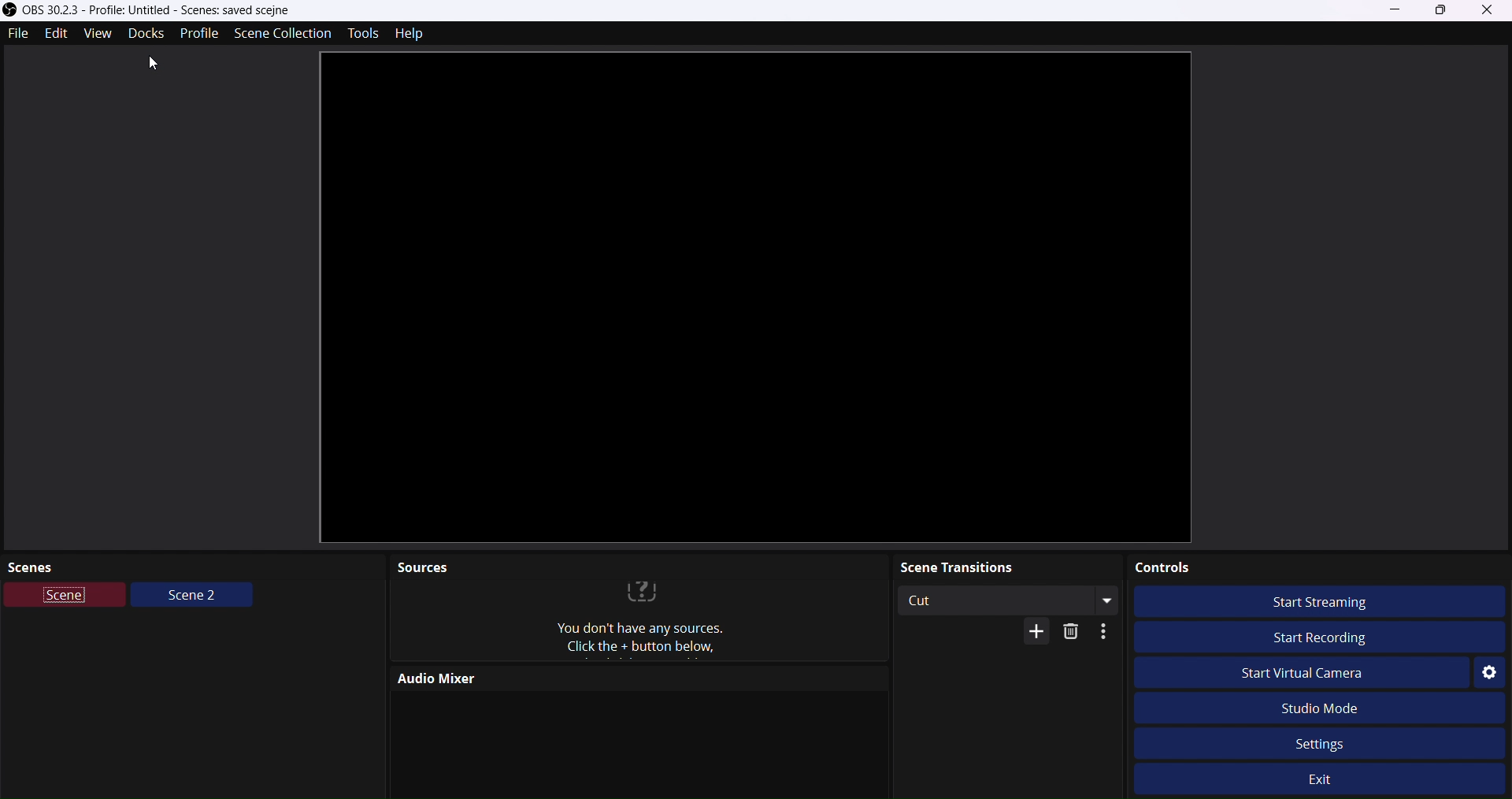  Describe the element at coordinates (198, 33) in the screenshot. I see `Profile` at that location.